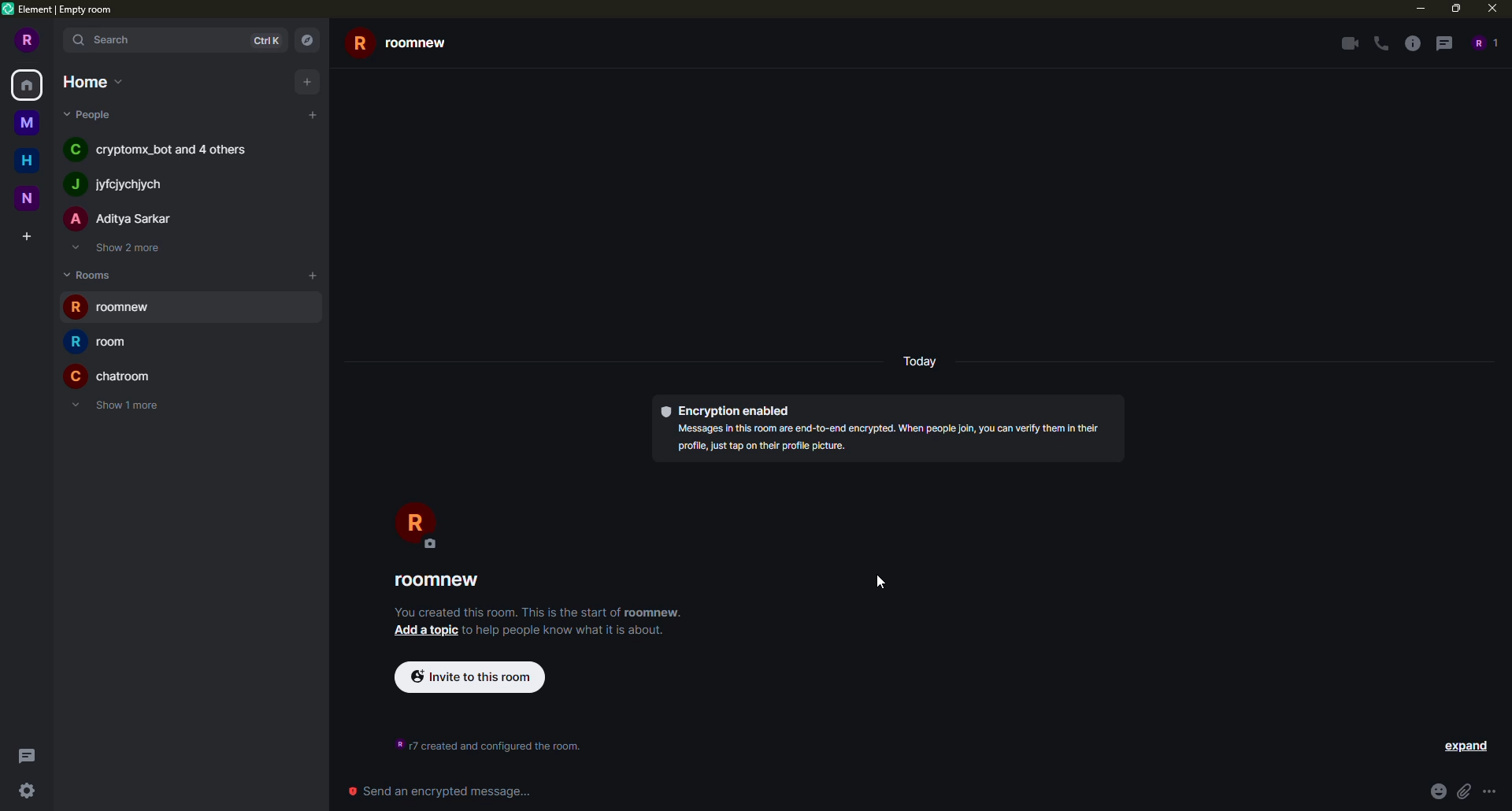  I want to click on room created, so click(115, 306).